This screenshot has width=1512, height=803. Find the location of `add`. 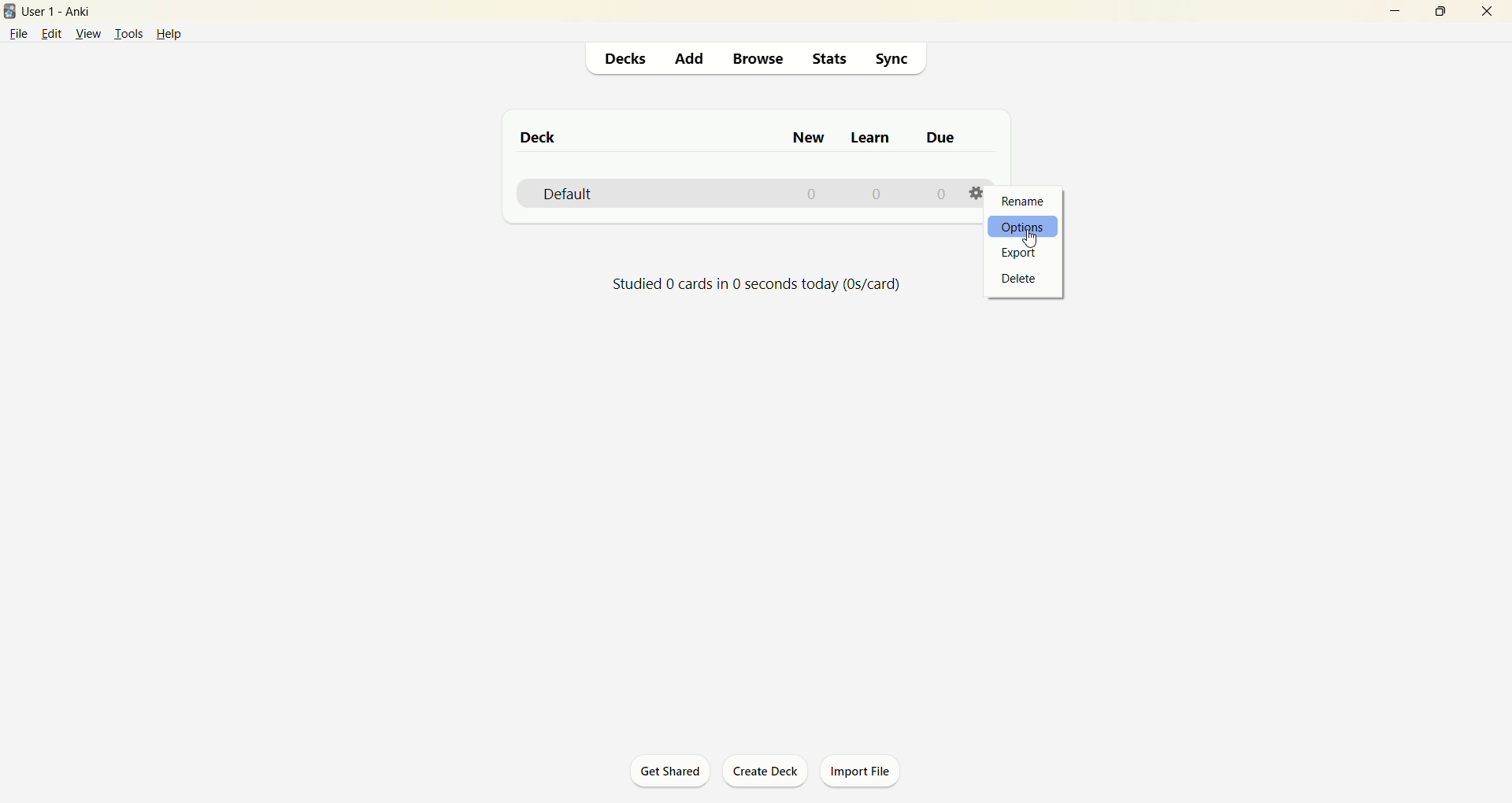

add is located at coordinates (688, 60).